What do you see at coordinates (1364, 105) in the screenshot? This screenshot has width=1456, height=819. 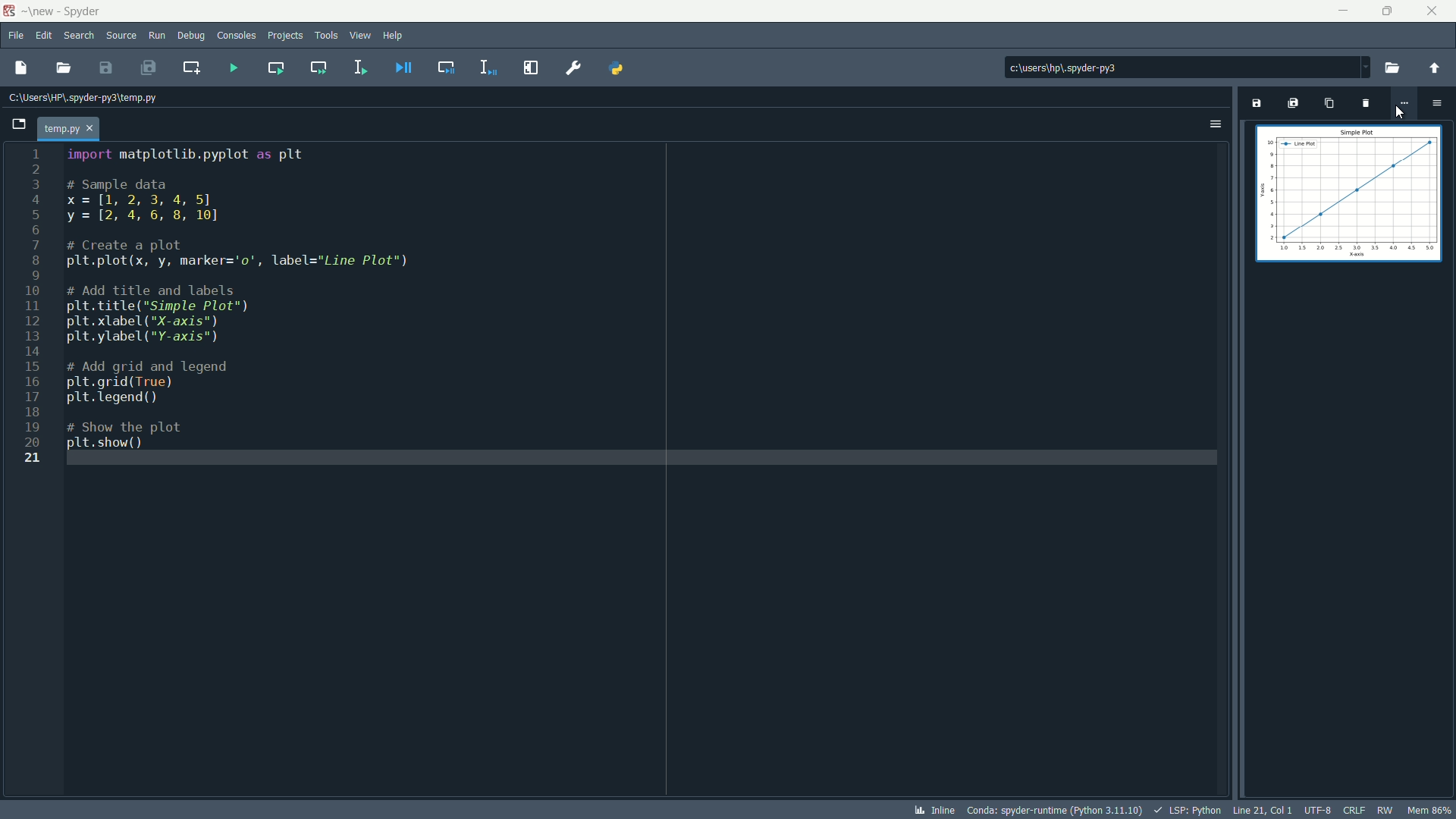 I see `remove plot` at bounding box center [1364, 105].